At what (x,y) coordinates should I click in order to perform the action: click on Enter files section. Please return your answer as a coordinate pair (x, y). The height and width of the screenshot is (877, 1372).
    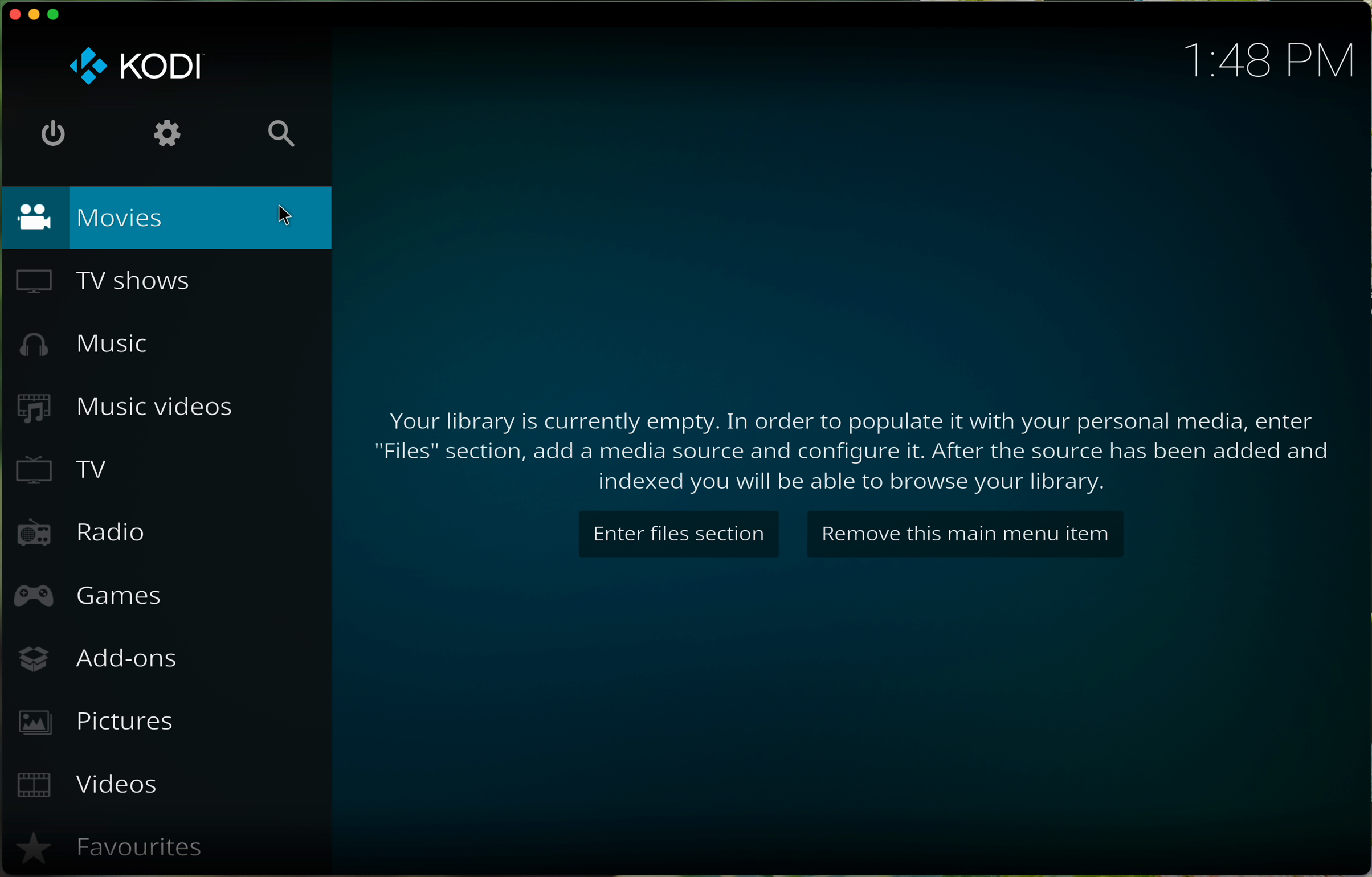
    Looking at the image, I should click on (679, 535).